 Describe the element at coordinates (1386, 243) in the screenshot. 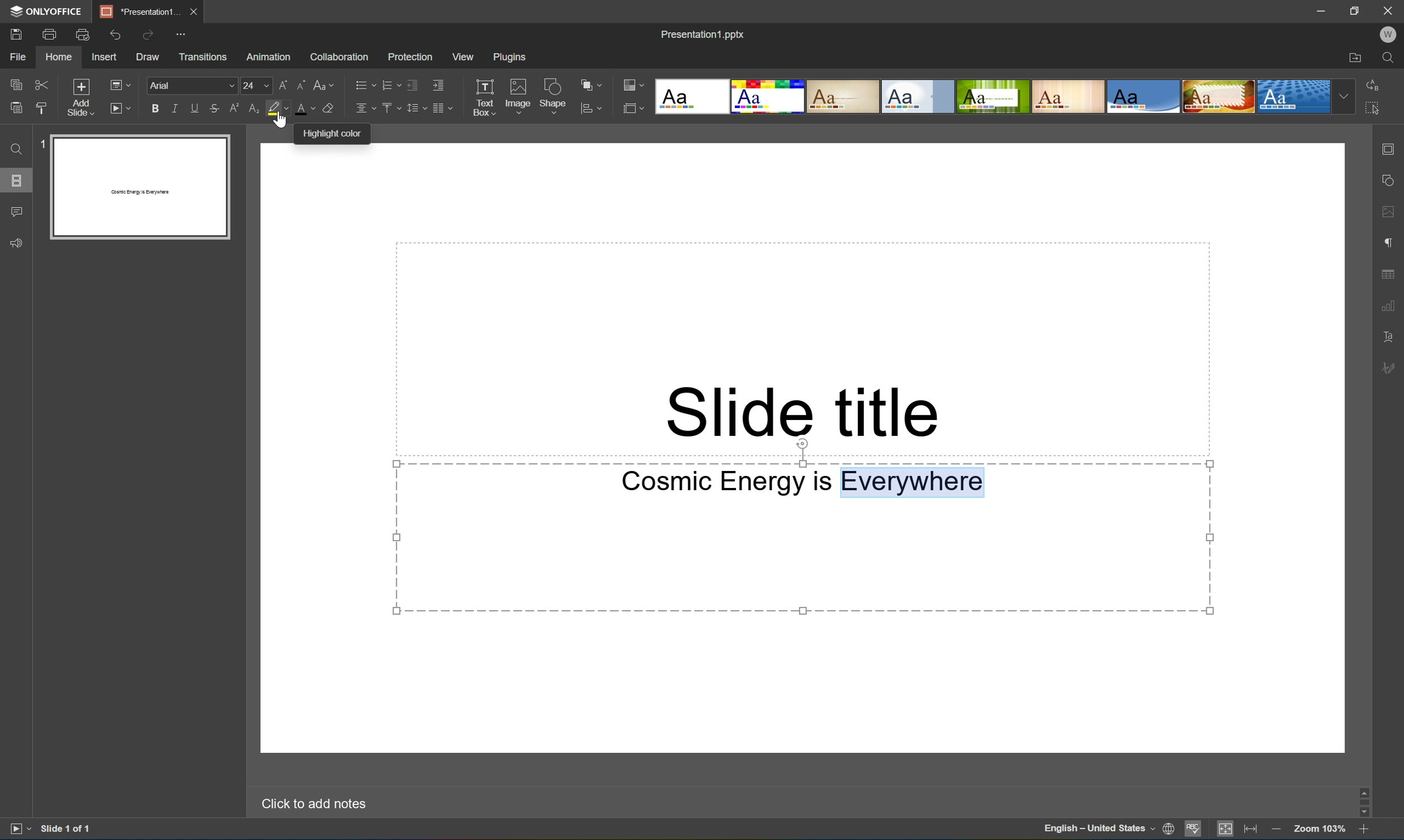

I see `Paragraph settings` at that location.